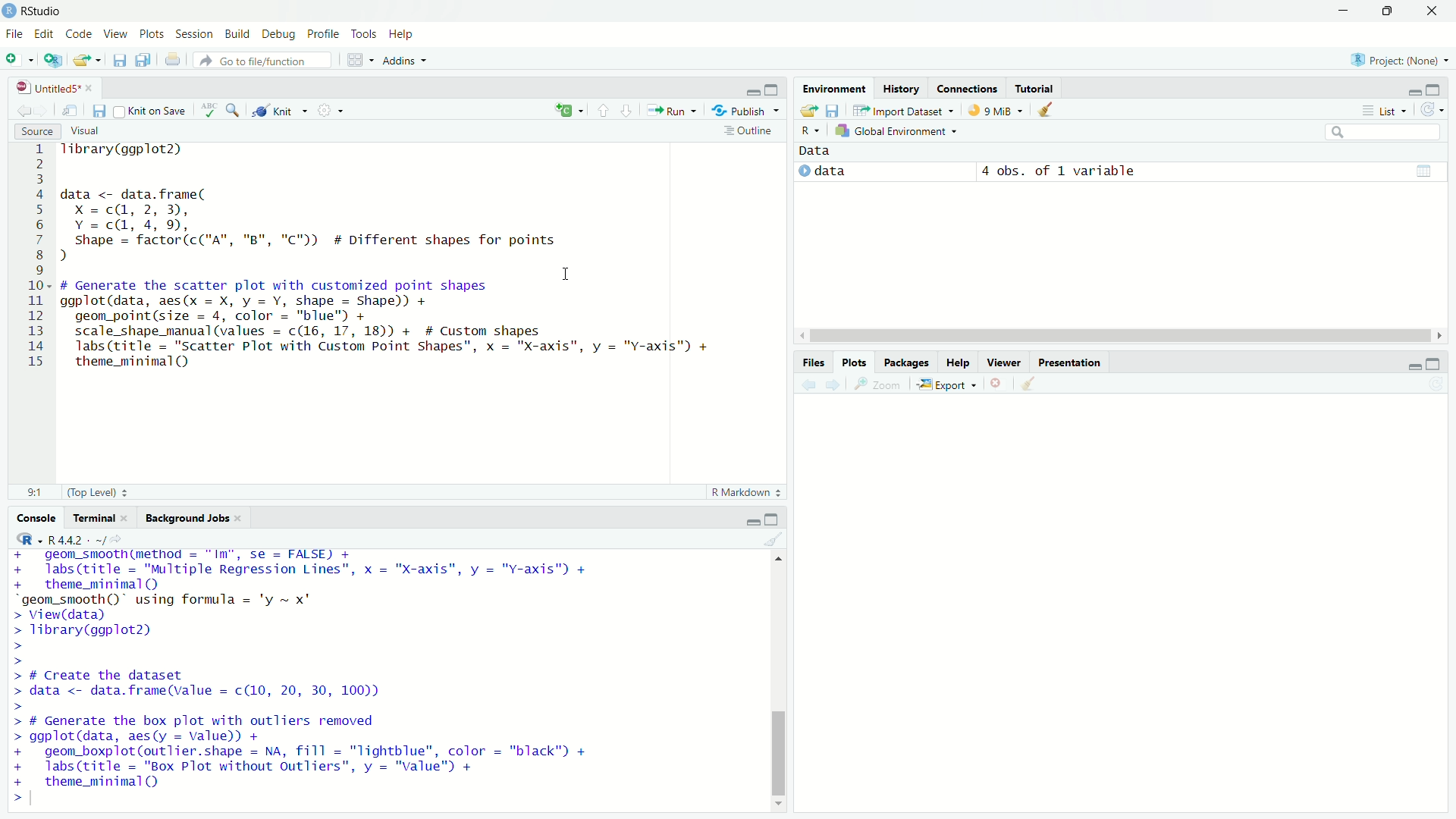 The height and width of the screenshot is (819, 1456). I want to click on Knit on Save, so click(151, 110).